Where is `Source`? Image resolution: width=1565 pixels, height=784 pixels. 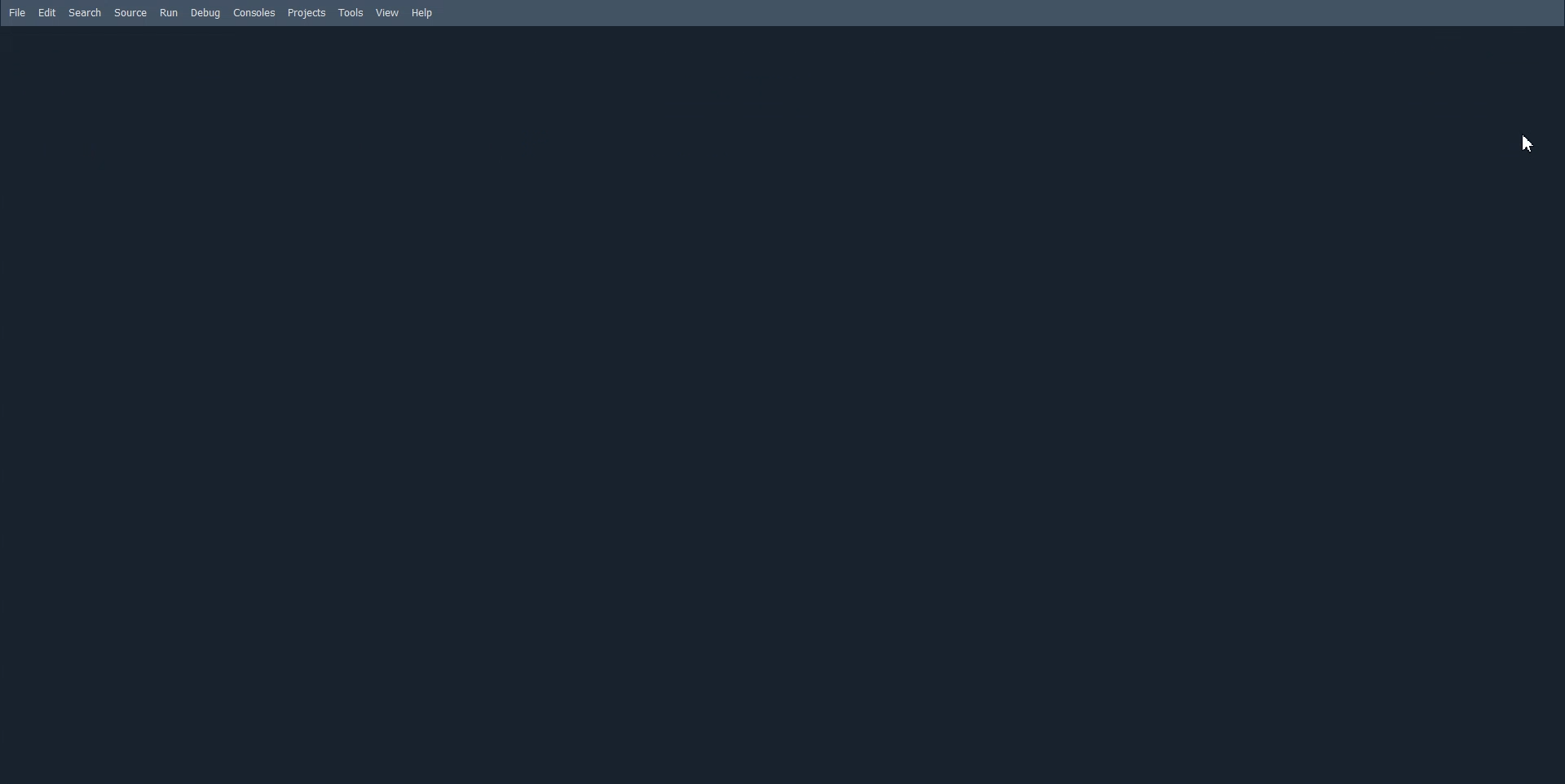
Source is located at coordinates (131, 13).